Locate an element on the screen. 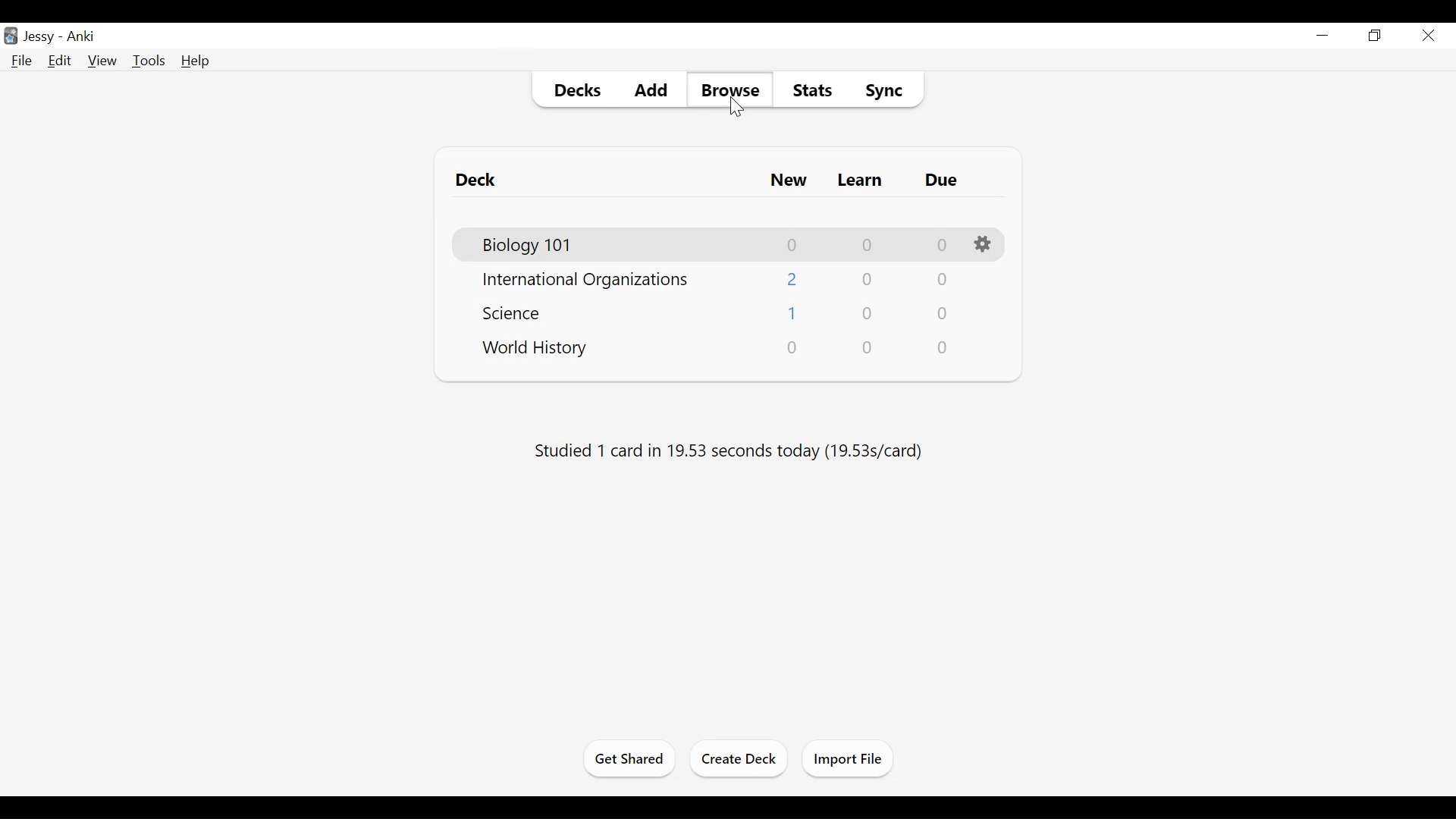  Import Files is located at coordinates (847, 759).